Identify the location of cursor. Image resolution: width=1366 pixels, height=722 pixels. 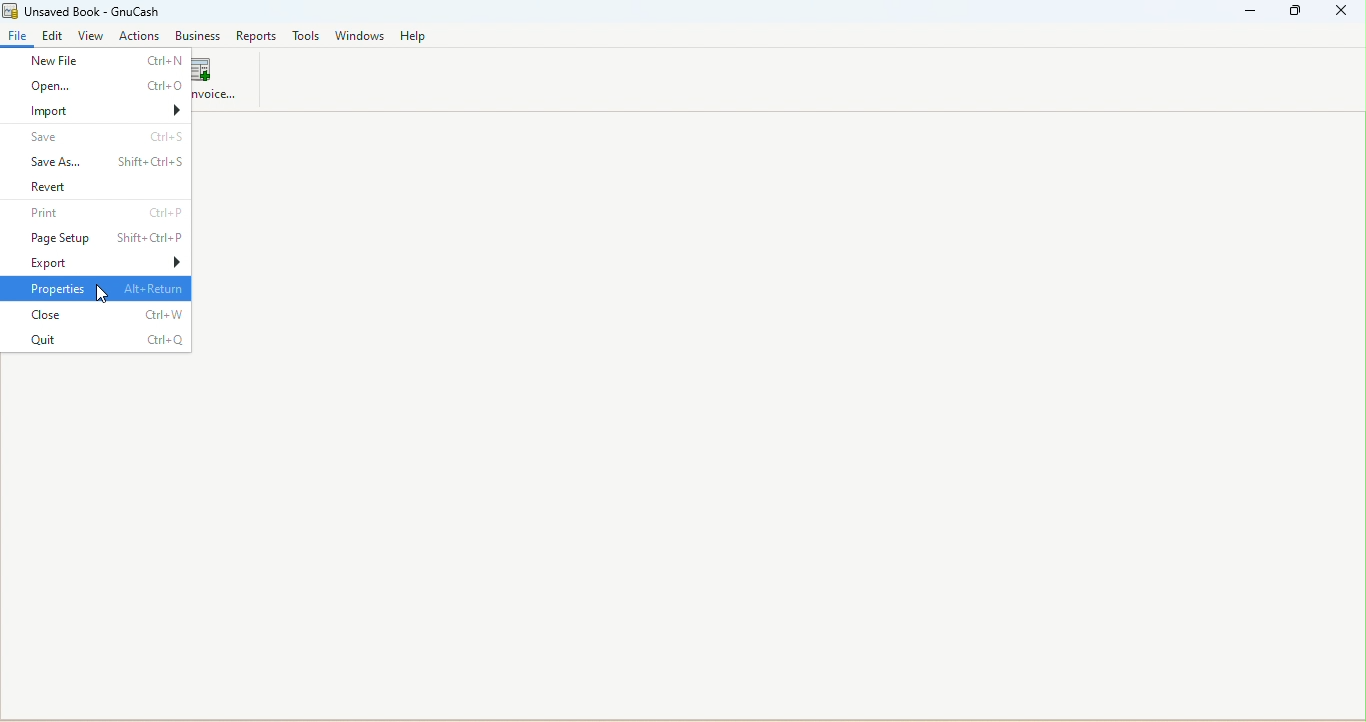
(101, 296).